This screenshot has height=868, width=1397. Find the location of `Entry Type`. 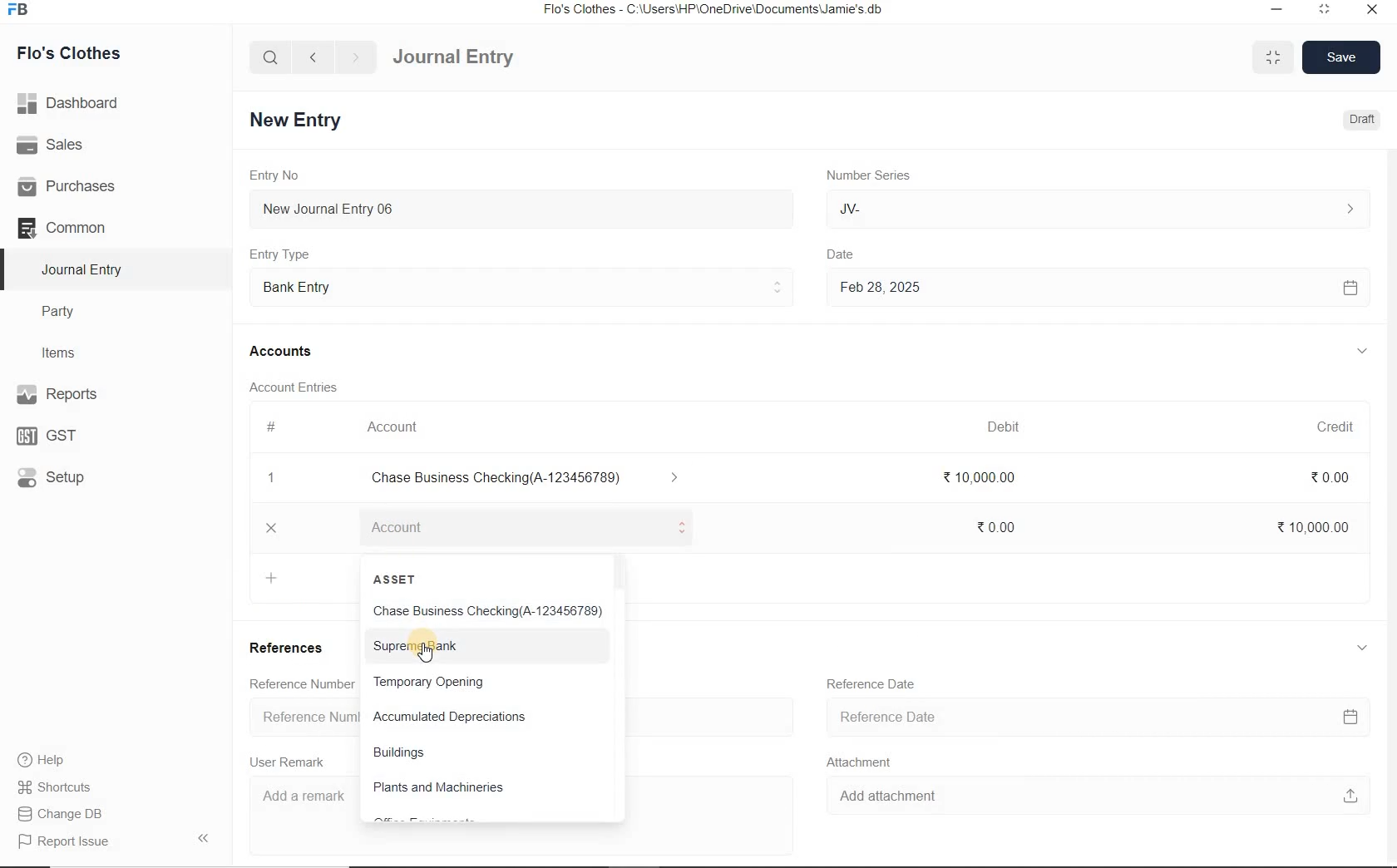

Entry Type is located at coordinates (285, 254).